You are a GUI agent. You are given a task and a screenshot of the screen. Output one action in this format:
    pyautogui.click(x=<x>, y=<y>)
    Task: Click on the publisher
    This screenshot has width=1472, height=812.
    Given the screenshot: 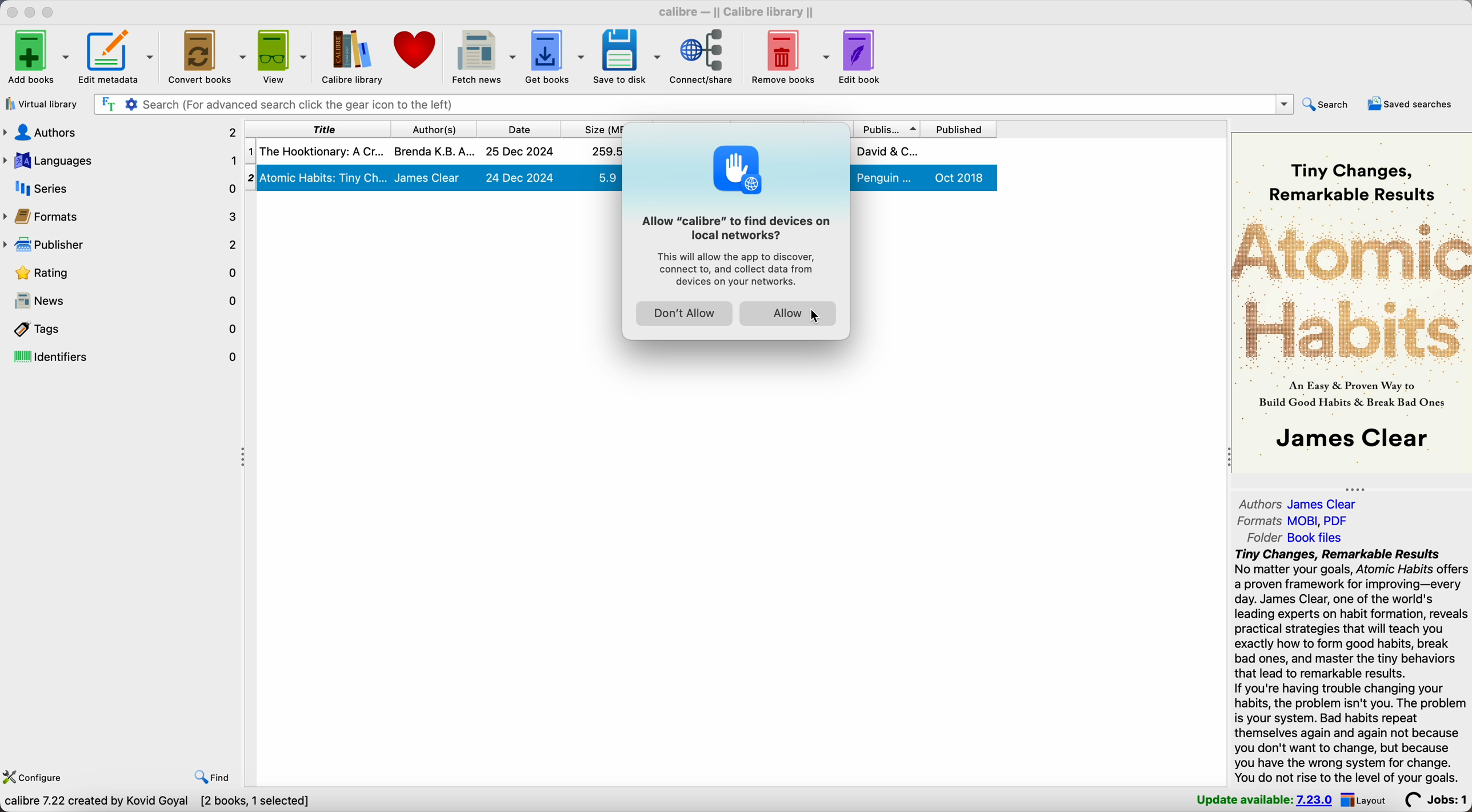 What is the action you would take?
    pyautogui.click(x=888, y=129)
    